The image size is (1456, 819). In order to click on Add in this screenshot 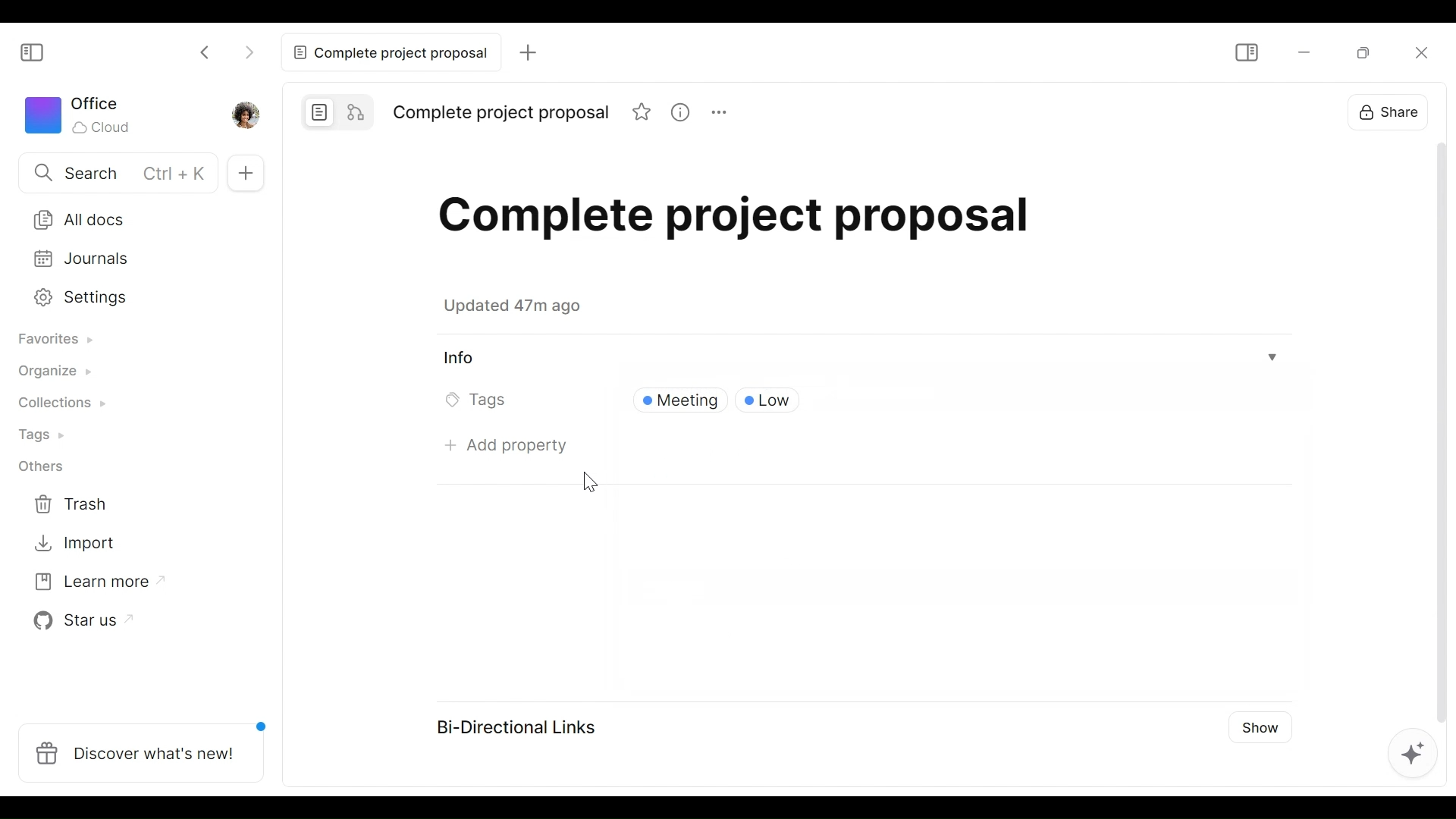, I will do `click(525, 52)`.